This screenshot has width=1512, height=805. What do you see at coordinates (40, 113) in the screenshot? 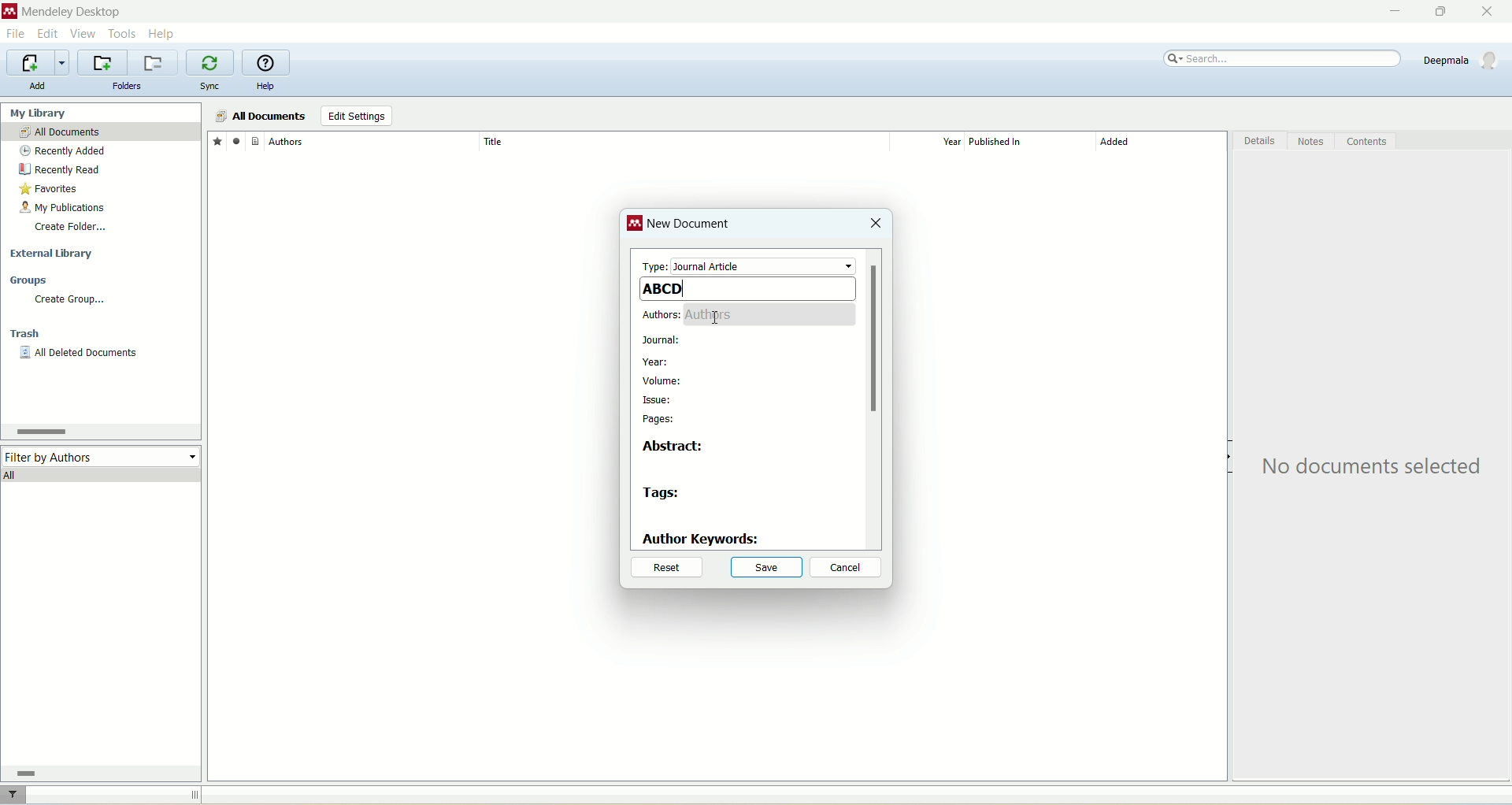
I see `my library` at bounding box center [40, 113].